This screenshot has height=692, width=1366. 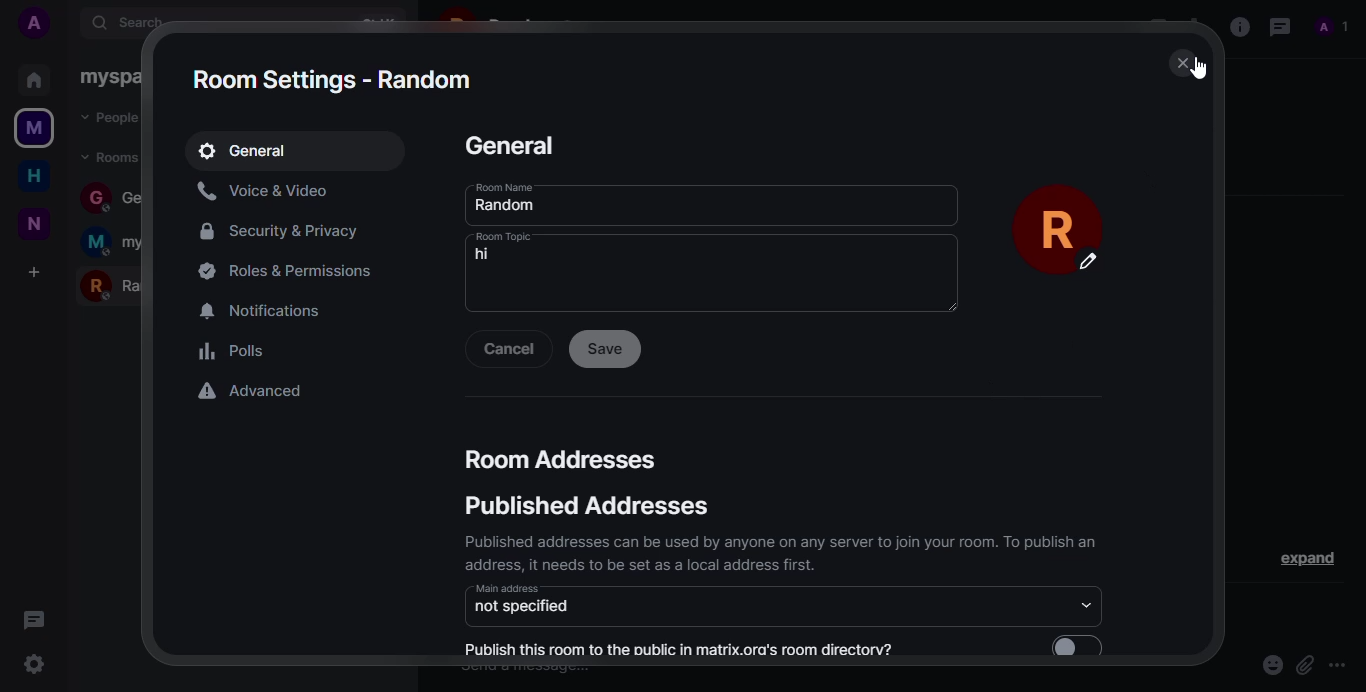 What do you see at coordinates (505, 236) in the screenshot?
I see `room topic` at bounding box center [505, 236].